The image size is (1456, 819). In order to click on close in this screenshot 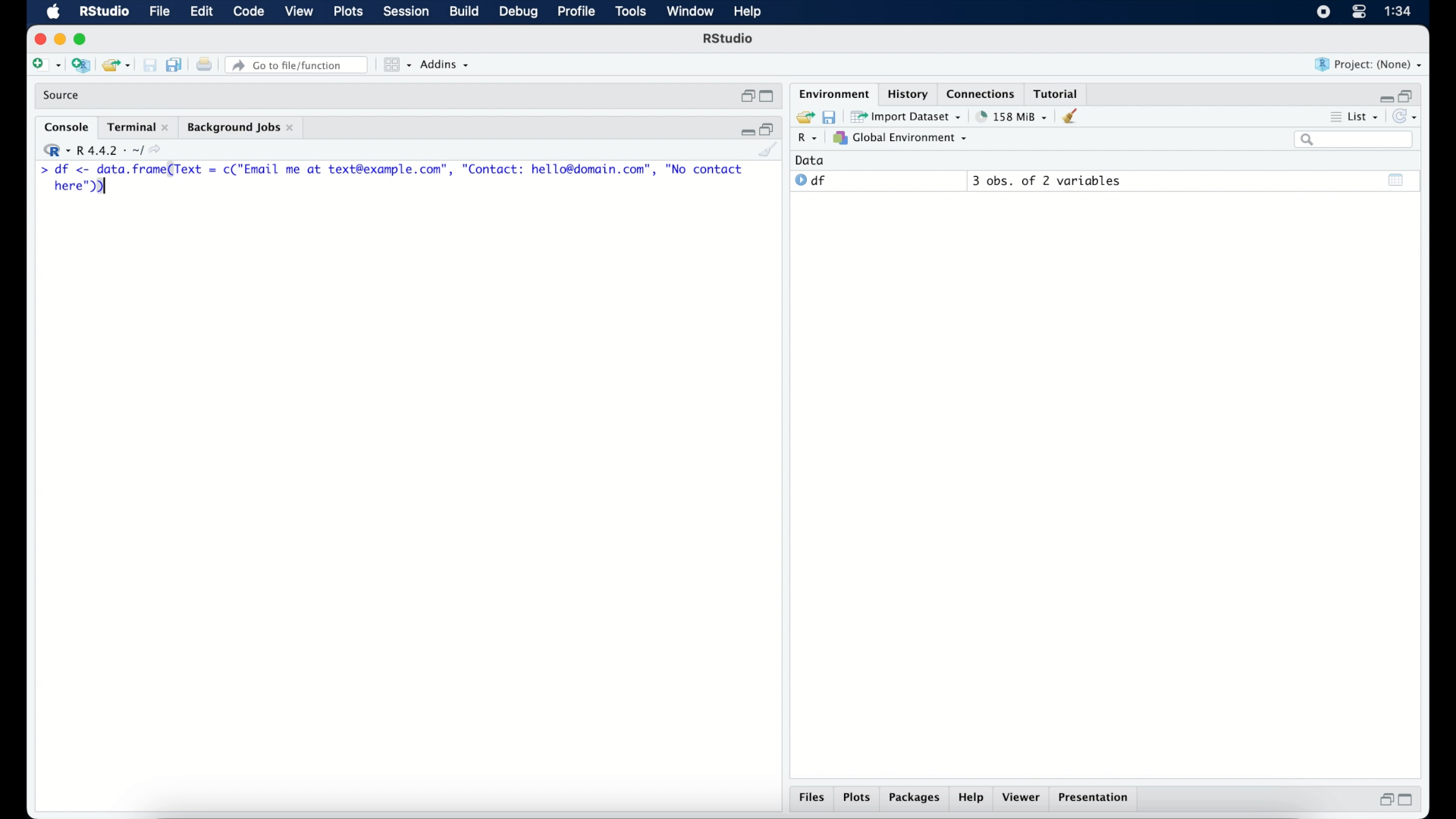, I will do `click(37, 37)`.